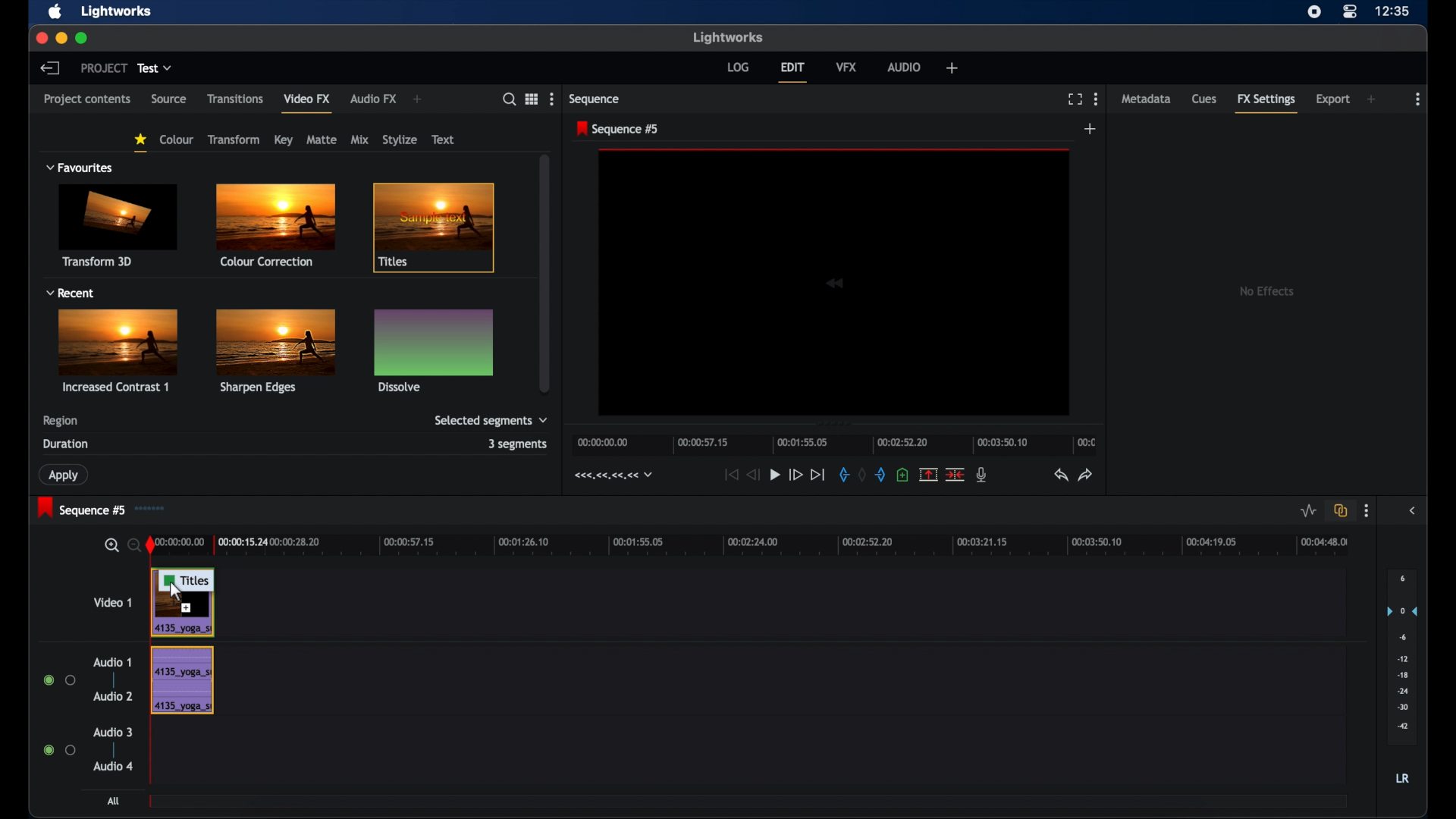 The width and height of the screenshot is (1456, 819). I want to click on transform, so click(235, 140).